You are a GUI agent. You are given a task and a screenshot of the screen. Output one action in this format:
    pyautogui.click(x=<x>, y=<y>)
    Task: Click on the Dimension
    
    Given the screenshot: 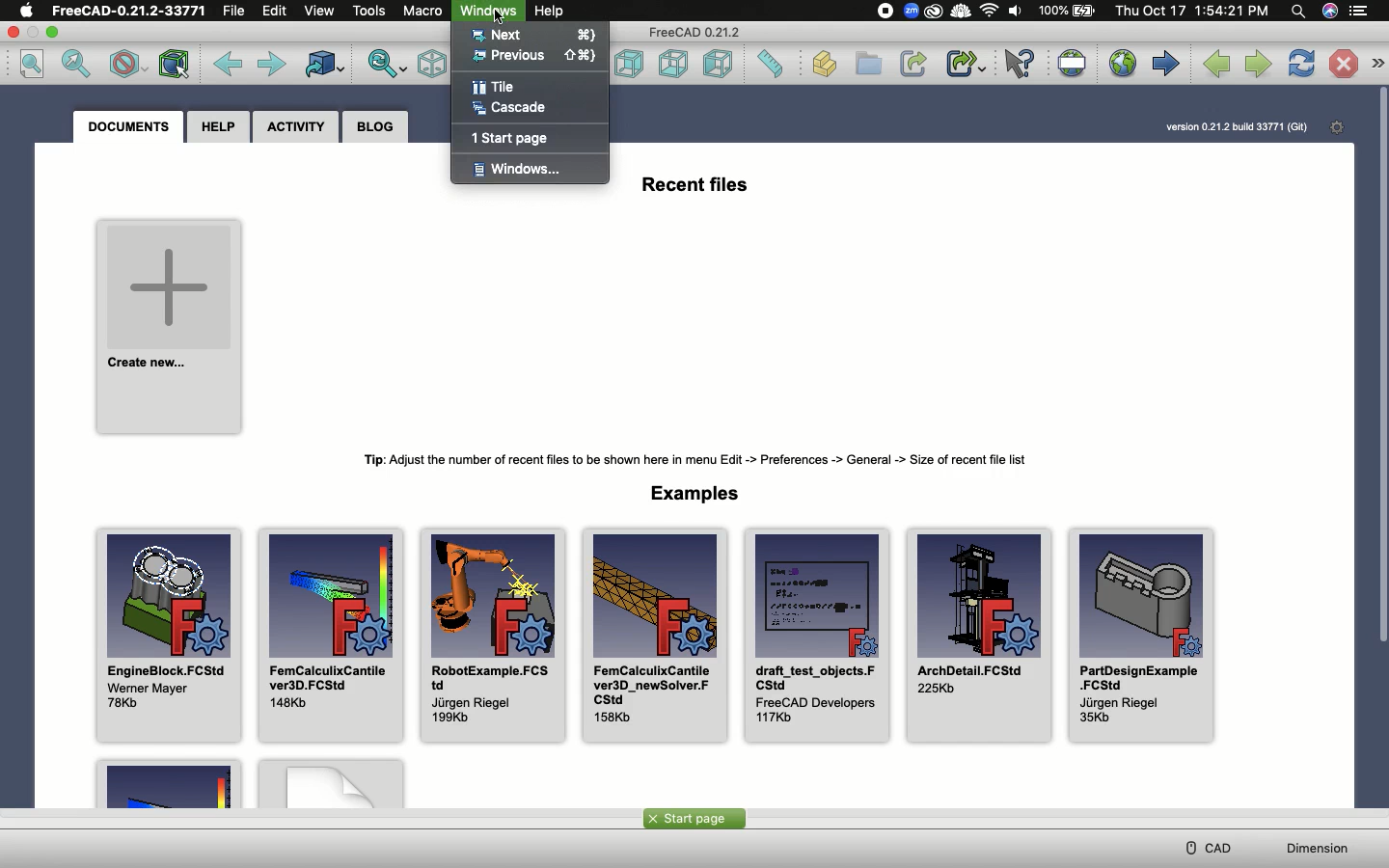 What is the action you would take?
    pyautogui.click(x=1319, y=850)
    